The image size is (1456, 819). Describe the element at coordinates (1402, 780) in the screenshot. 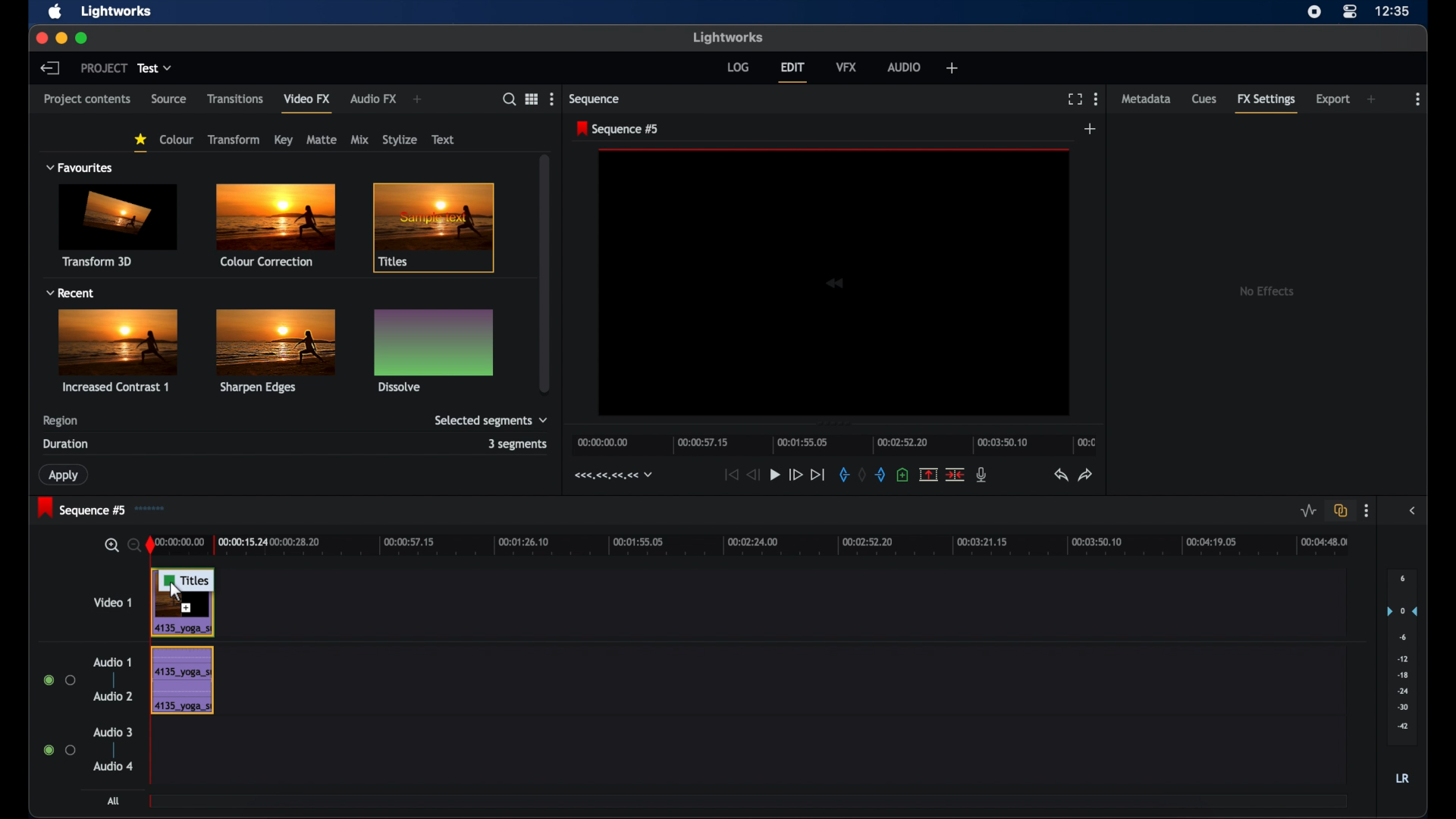

I see `lr` at that location.